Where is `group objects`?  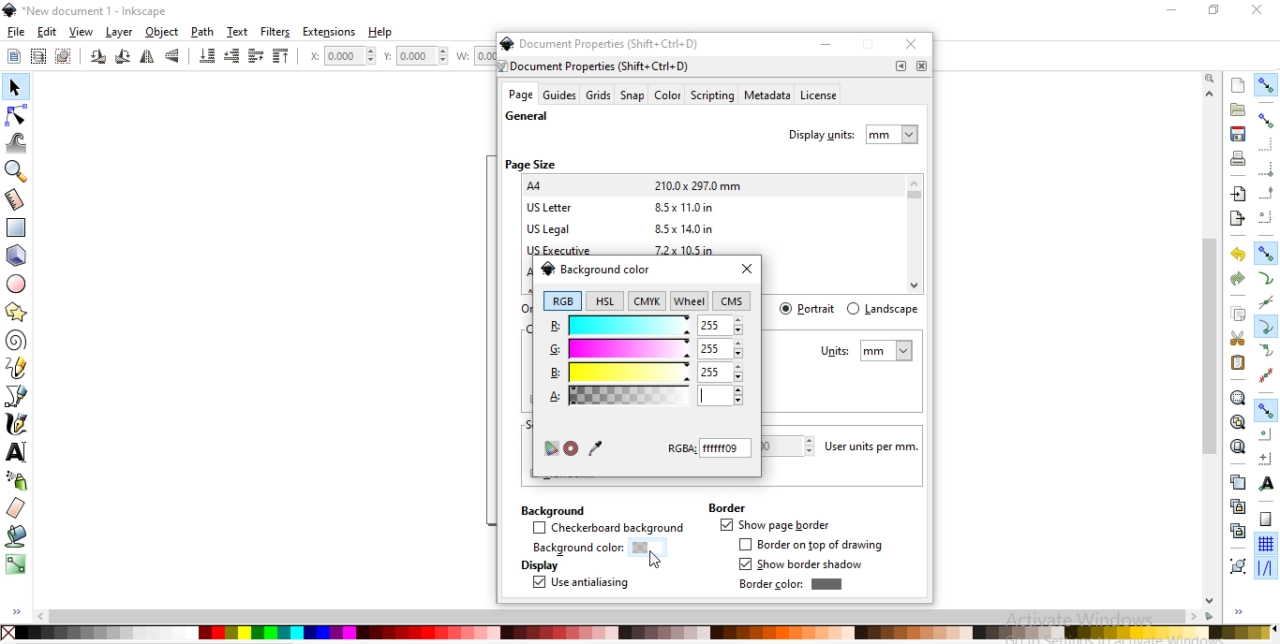
group objects is located at coordinates (1236, 566).